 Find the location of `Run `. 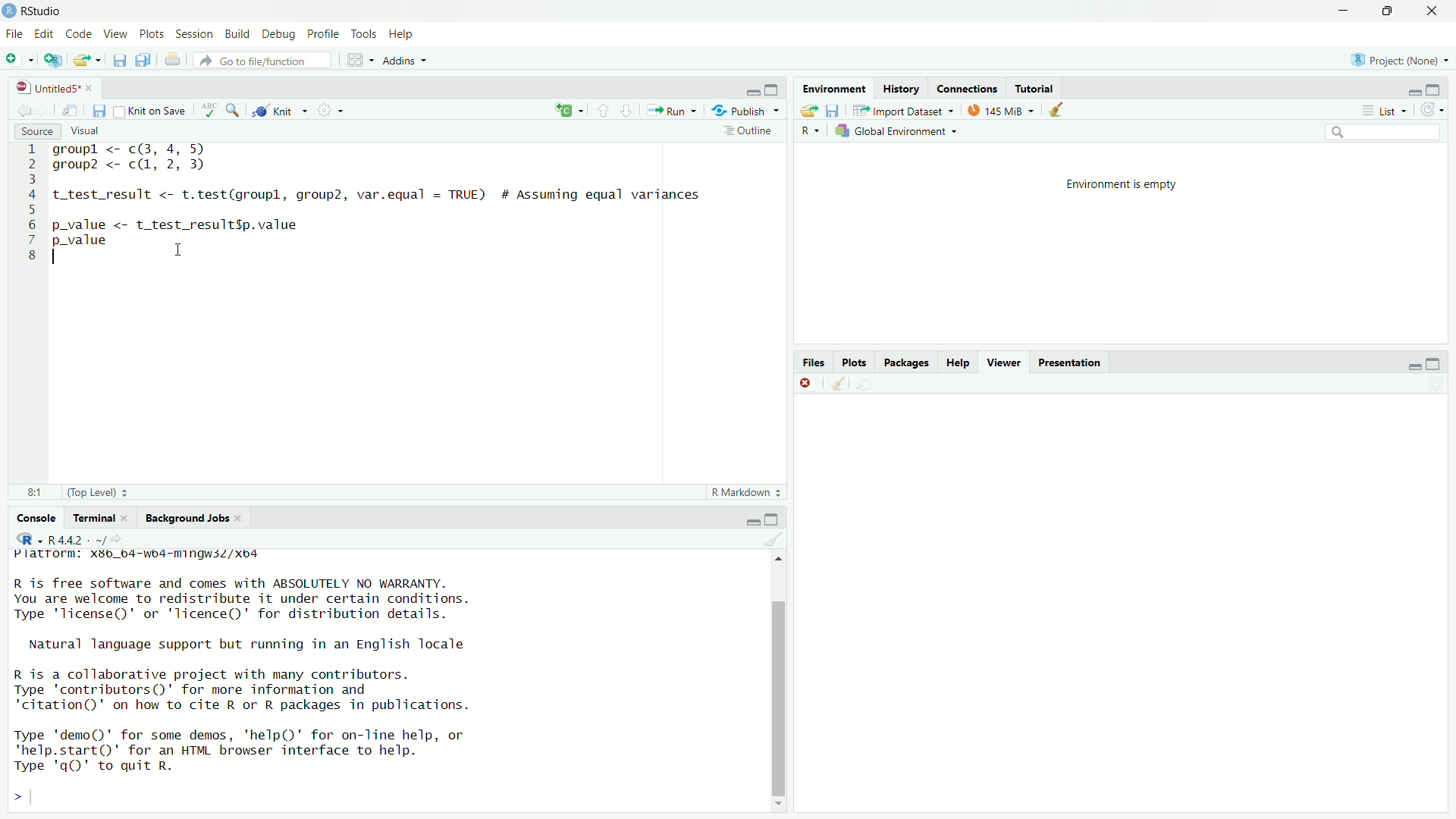

Run  is located at coordinates (668, 109).